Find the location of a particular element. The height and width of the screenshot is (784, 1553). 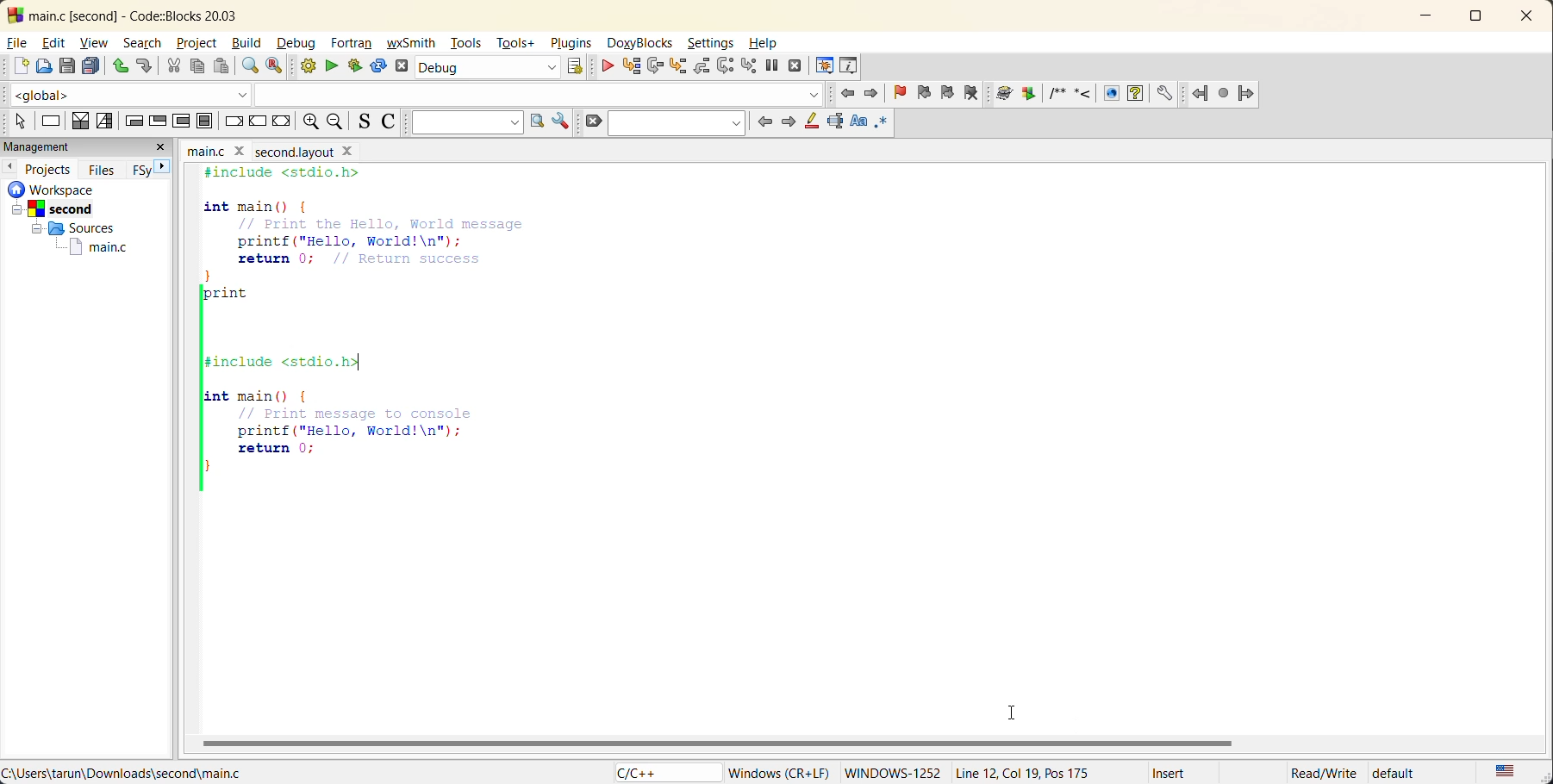

default is located at coordinates (1410, 774).